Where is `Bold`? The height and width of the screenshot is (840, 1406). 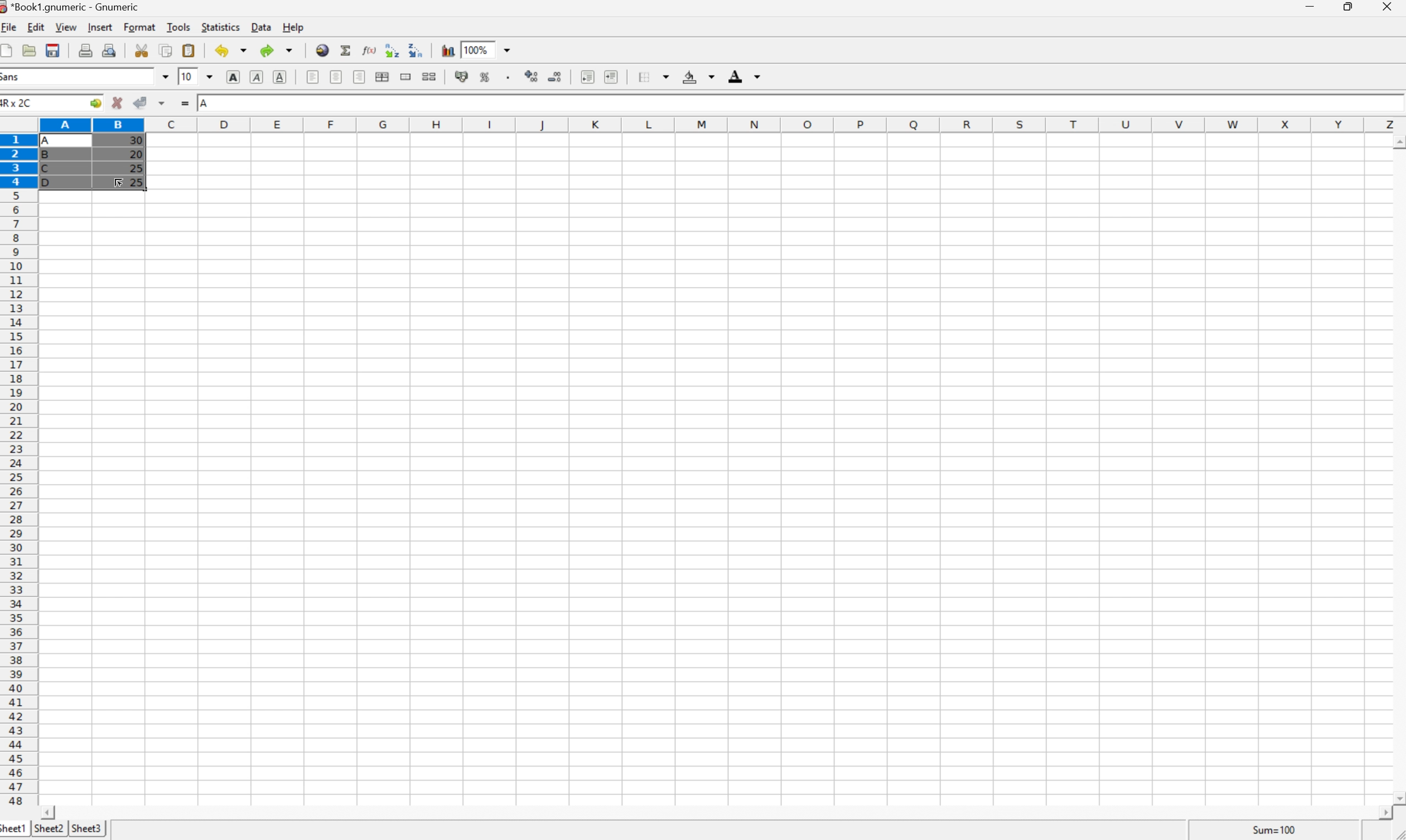
Bold is located at coordinates (233, 77).